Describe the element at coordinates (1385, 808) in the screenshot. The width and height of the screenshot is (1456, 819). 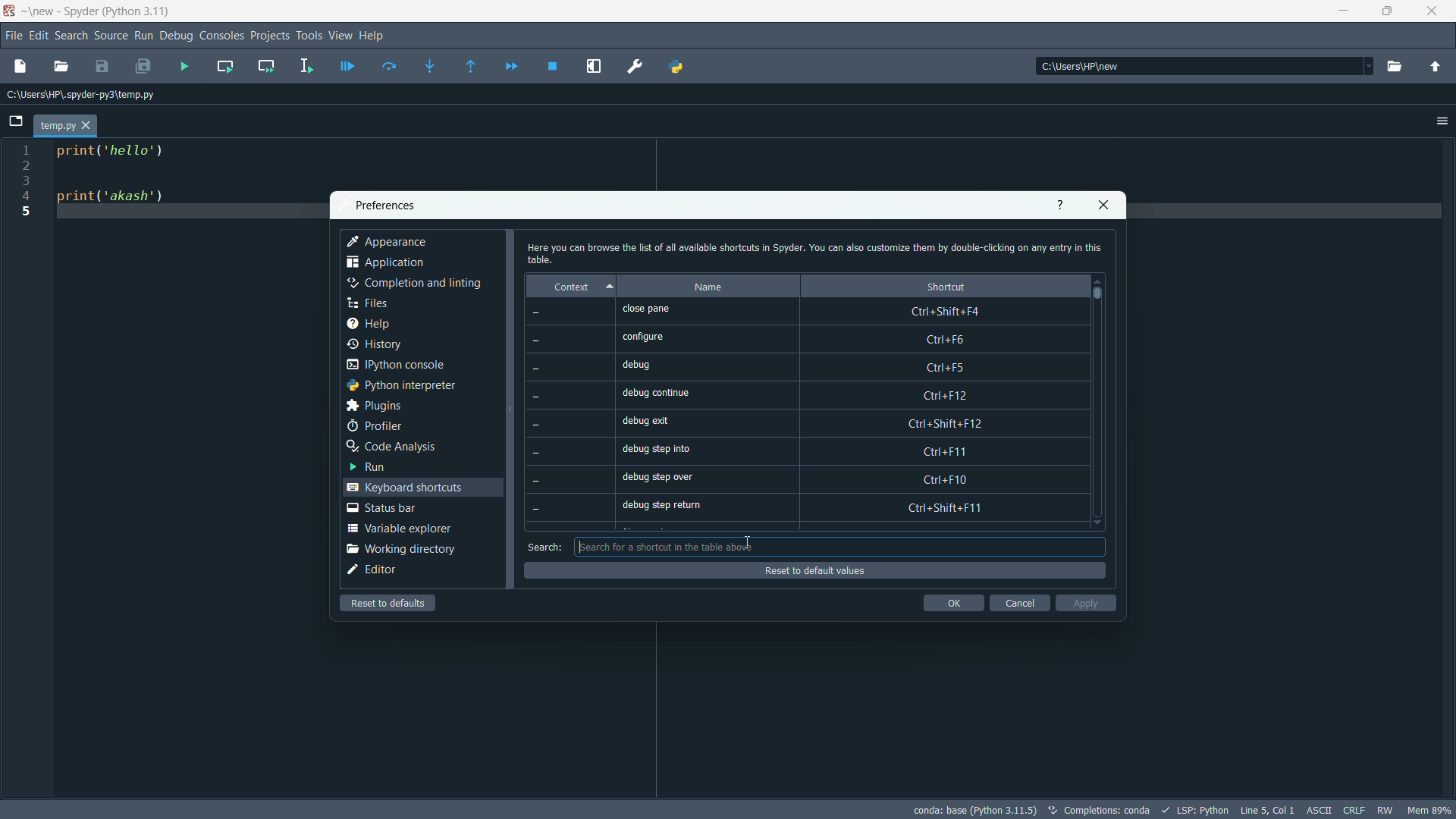
I see `RW` at that location.